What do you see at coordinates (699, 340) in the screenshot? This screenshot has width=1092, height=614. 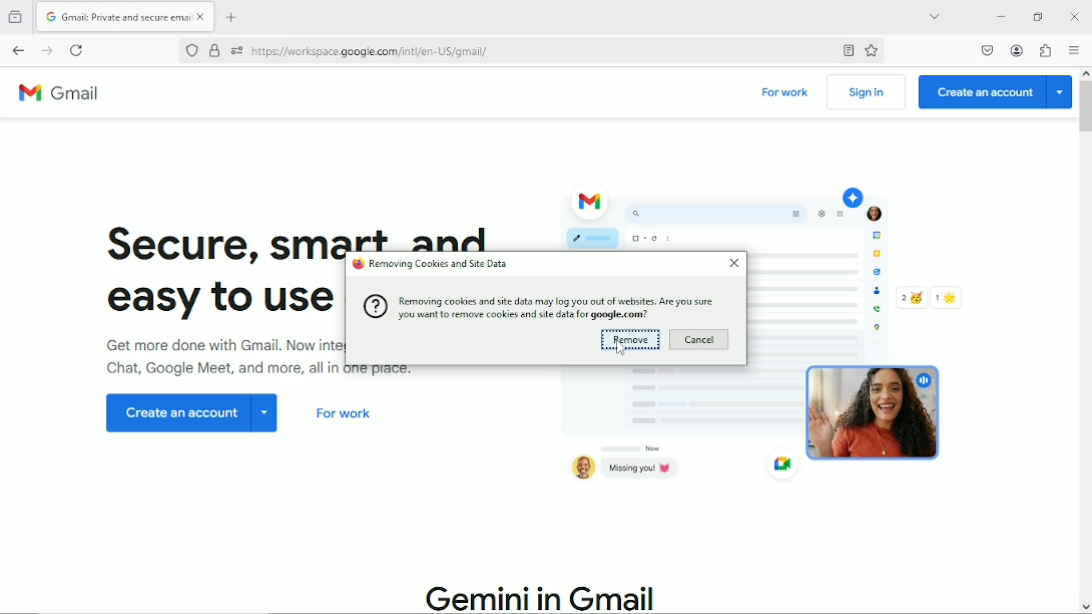 I see `Cancel` at bounding box center [699, 340].